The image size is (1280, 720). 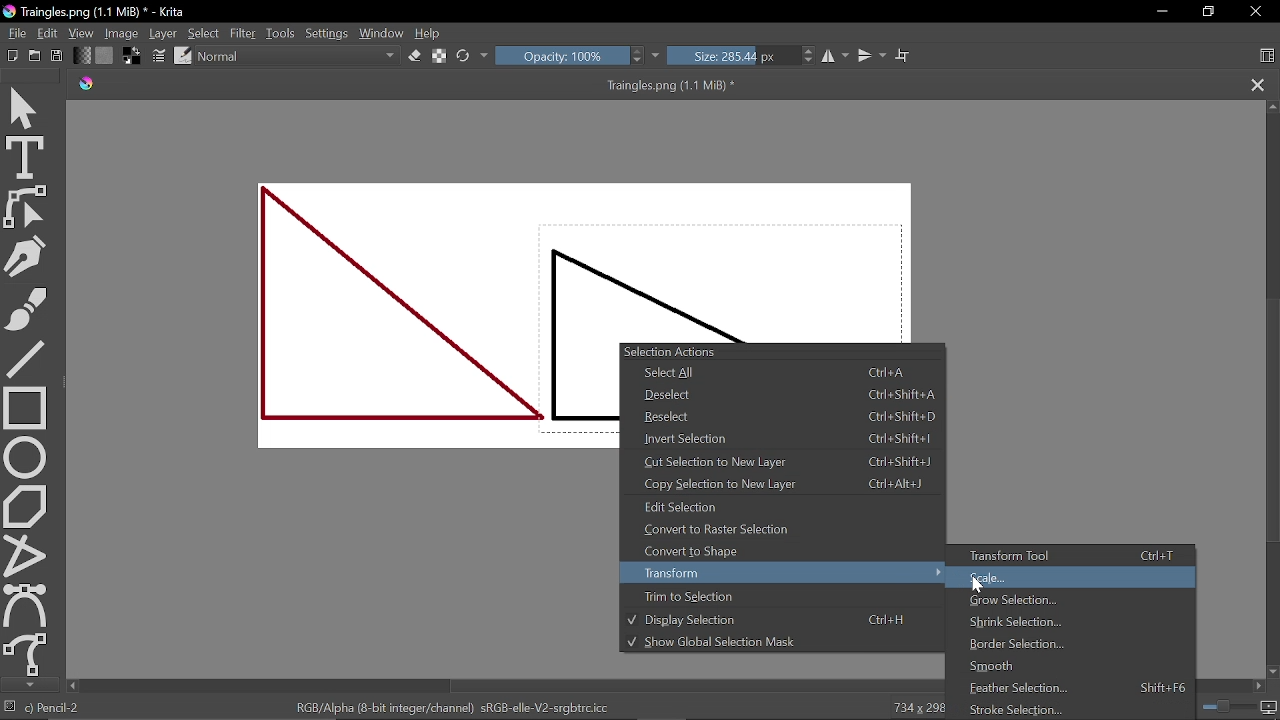 What do you see at coordinates (26, 456) in the screenshot?
I see `Ellipse tool` at bounding box center [26, 456].